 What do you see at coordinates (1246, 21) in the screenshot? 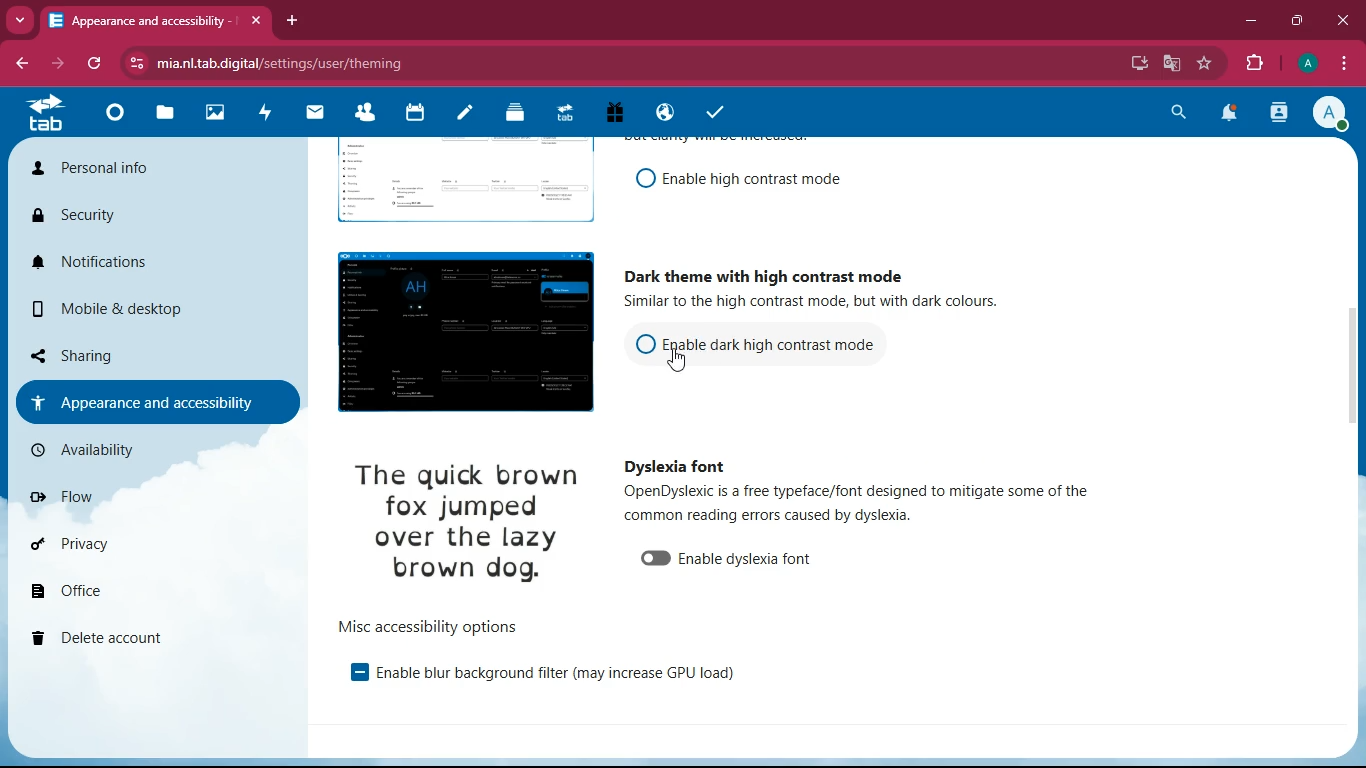
I see `minimize` at bounding box center [1246, 21].